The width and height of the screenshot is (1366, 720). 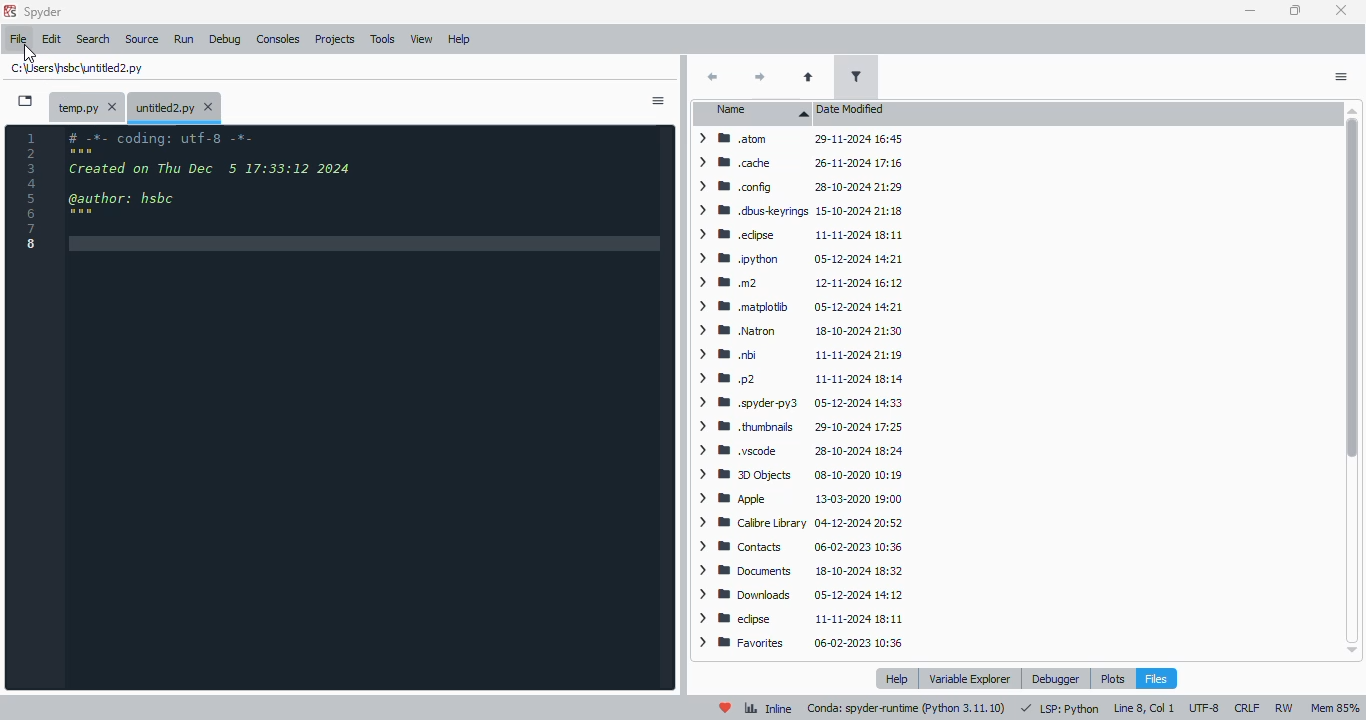 I want to click on > WM Calibre Library 04-12-2024 20:52., so click(x=800, y=524).